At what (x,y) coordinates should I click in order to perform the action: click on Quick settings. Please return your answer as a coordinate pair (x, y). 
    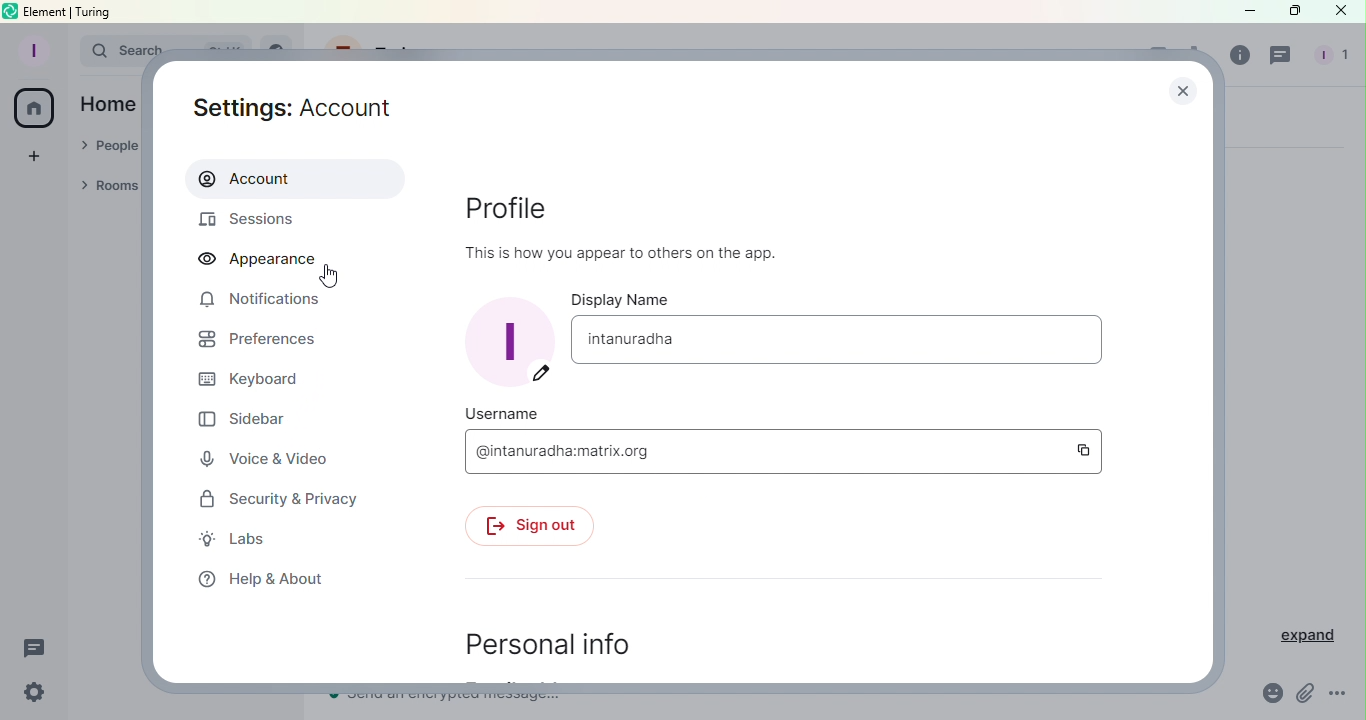
    Looking at the image, I should click on (29, 695).